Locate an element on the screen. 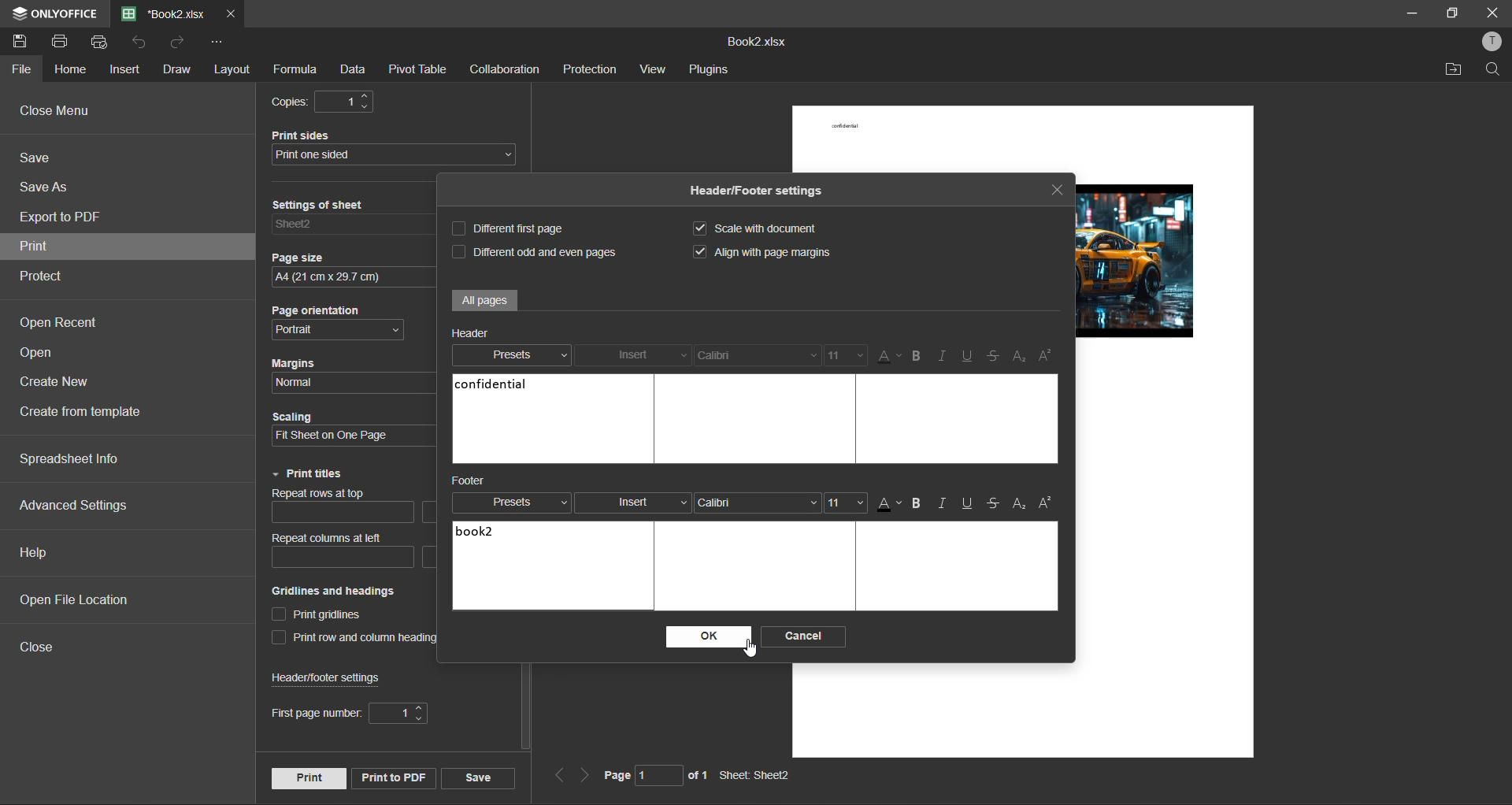 This screenshot has height=805, width=1512. close tab is located at coordinates (231, 12).